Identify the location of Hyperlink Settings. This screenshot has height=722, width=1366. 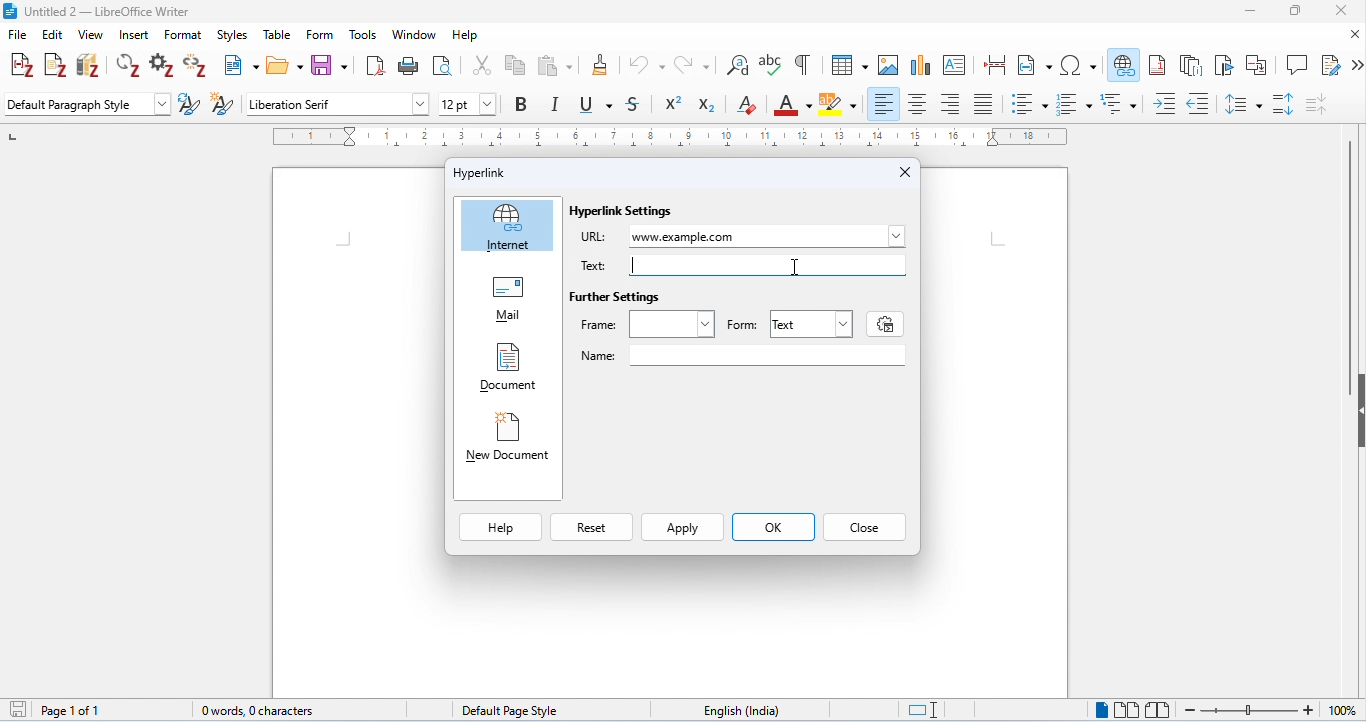
(625, 209).